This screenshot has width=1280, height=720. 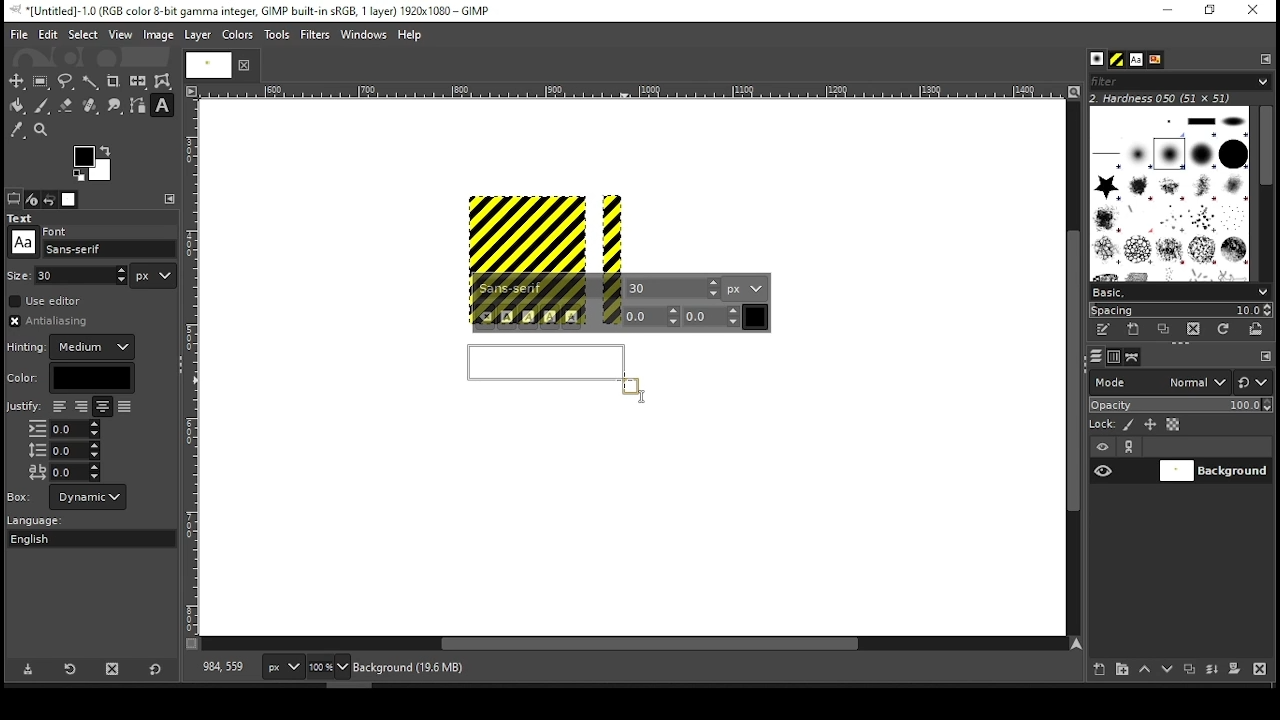 What do you see at coordinates (64, 429) in the screenshot?
I see `indentation of first line` at bounding box center [64, 429].